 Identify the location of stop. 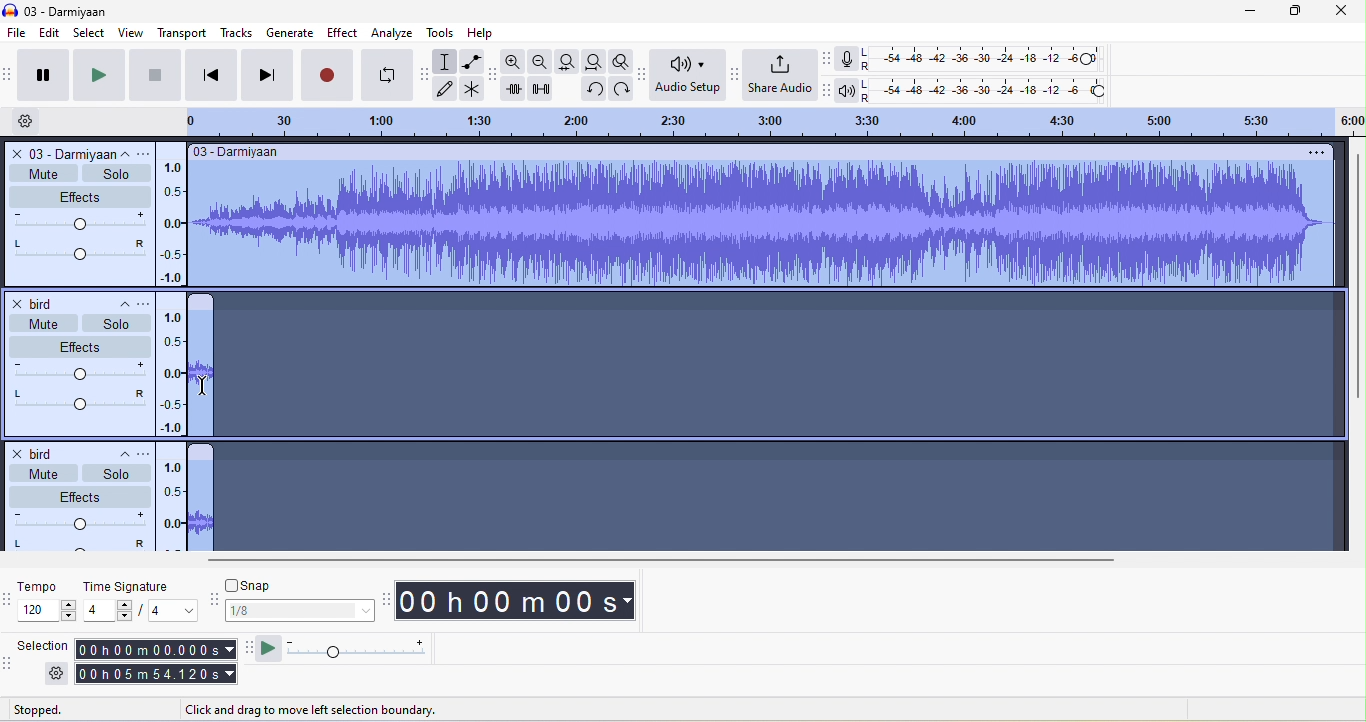
(154, 74).